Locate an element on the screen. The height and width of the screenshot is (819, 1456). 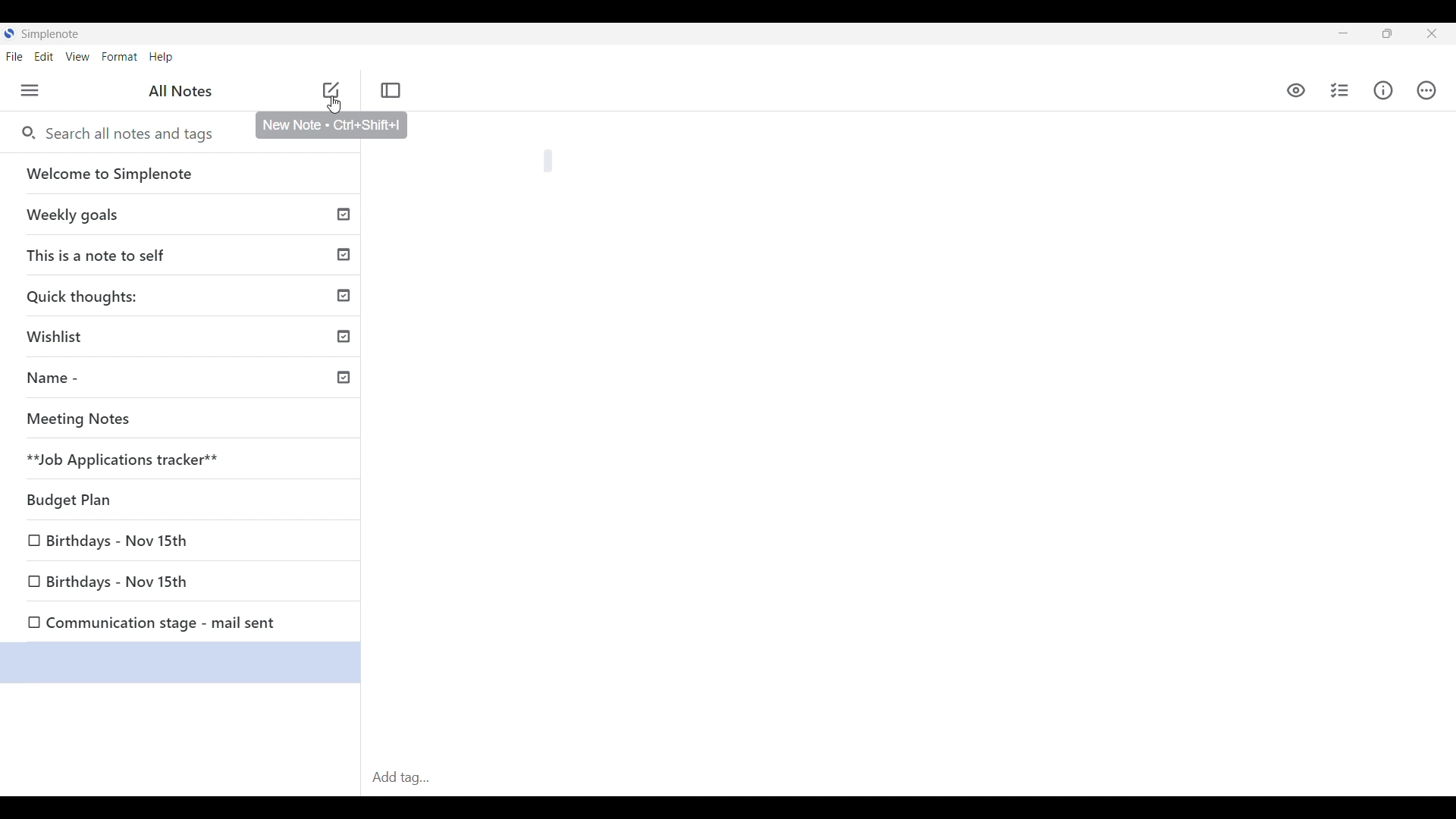
Welcome to Simplenote is located at coordinates (185, 174).